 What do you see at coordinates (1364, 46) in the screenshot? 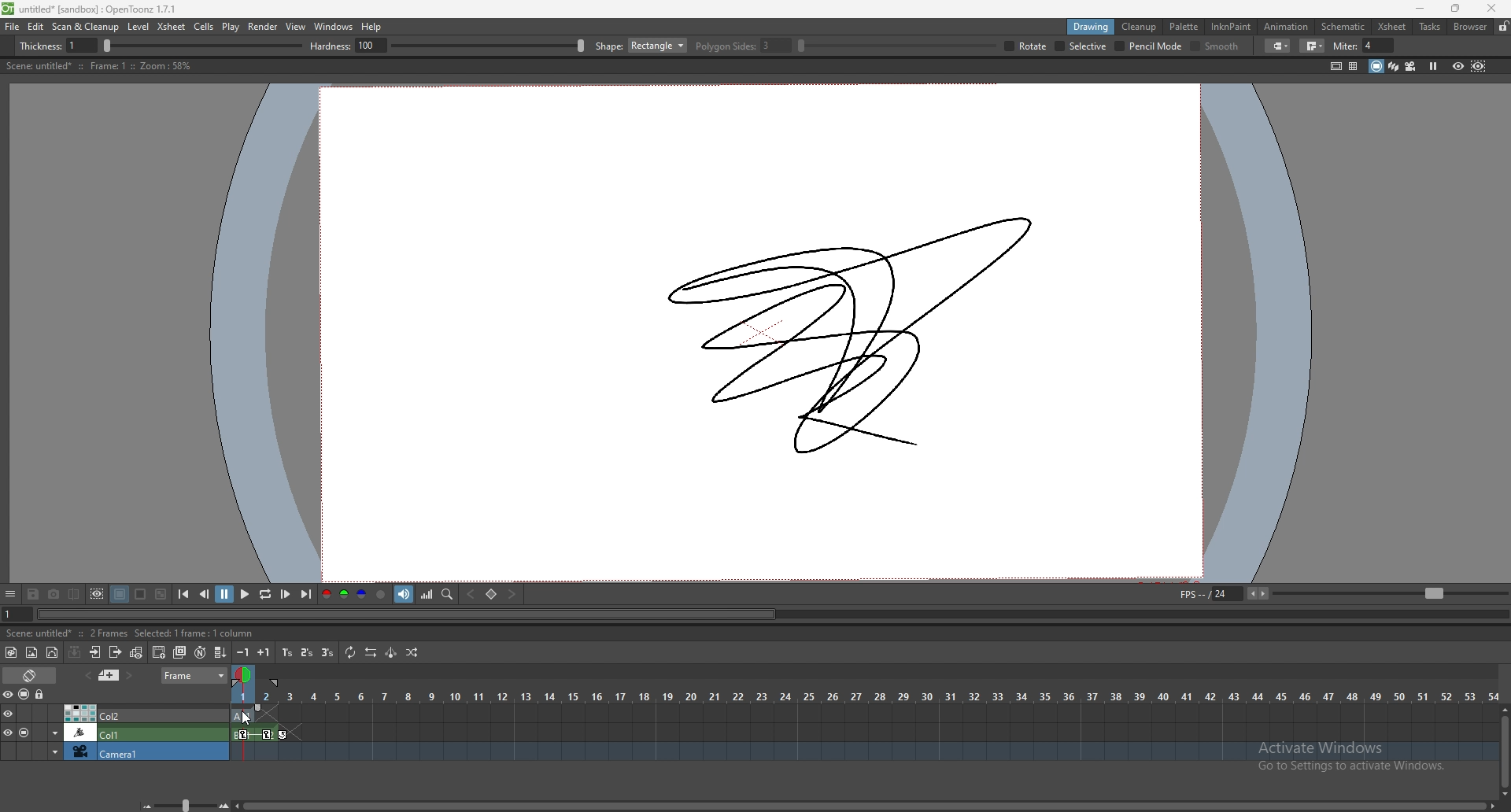
I see `miter` at bounding box center [1364, 46].